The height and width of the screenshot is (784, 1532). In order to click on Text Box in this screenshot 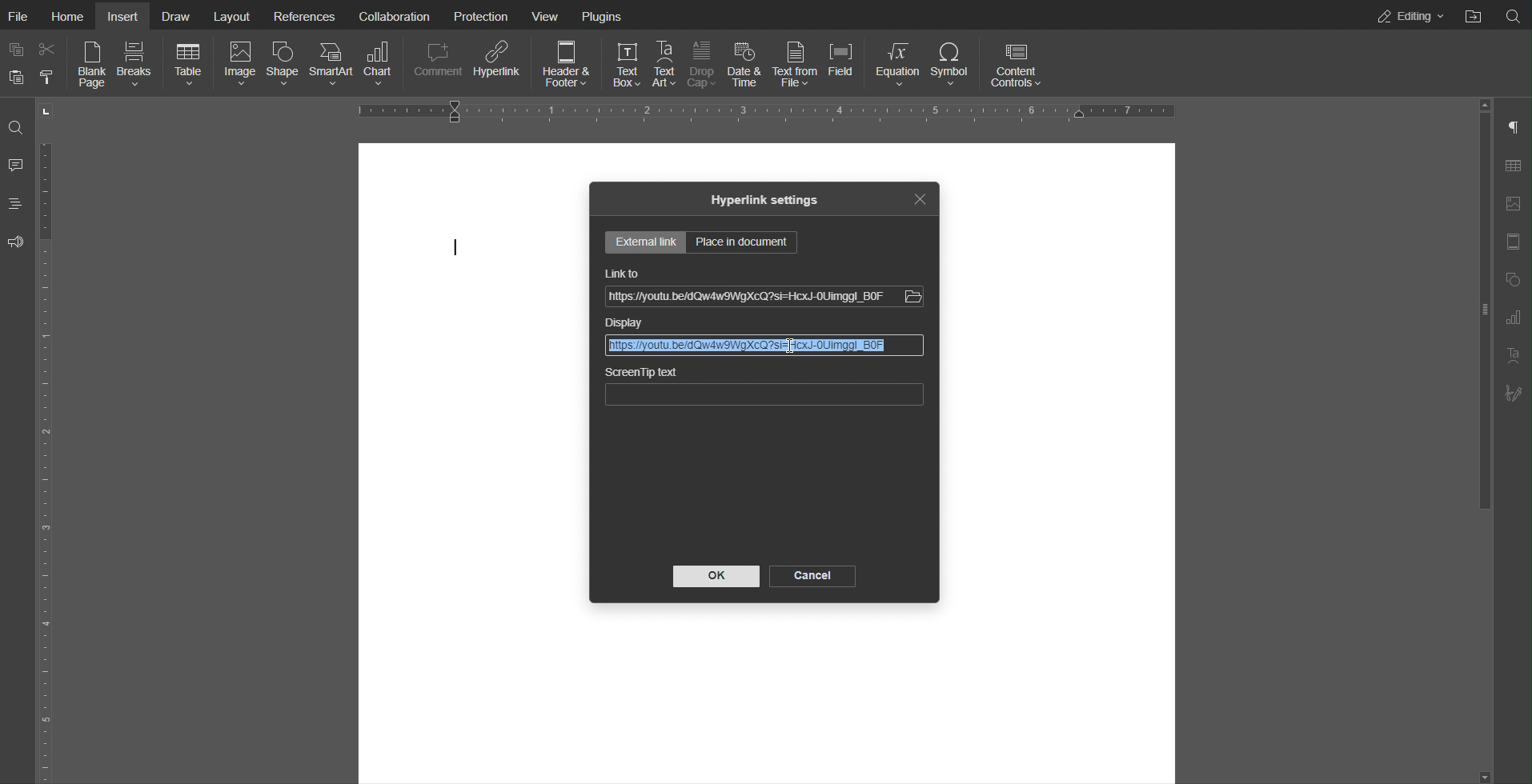, I will do `click(628, 65)`.